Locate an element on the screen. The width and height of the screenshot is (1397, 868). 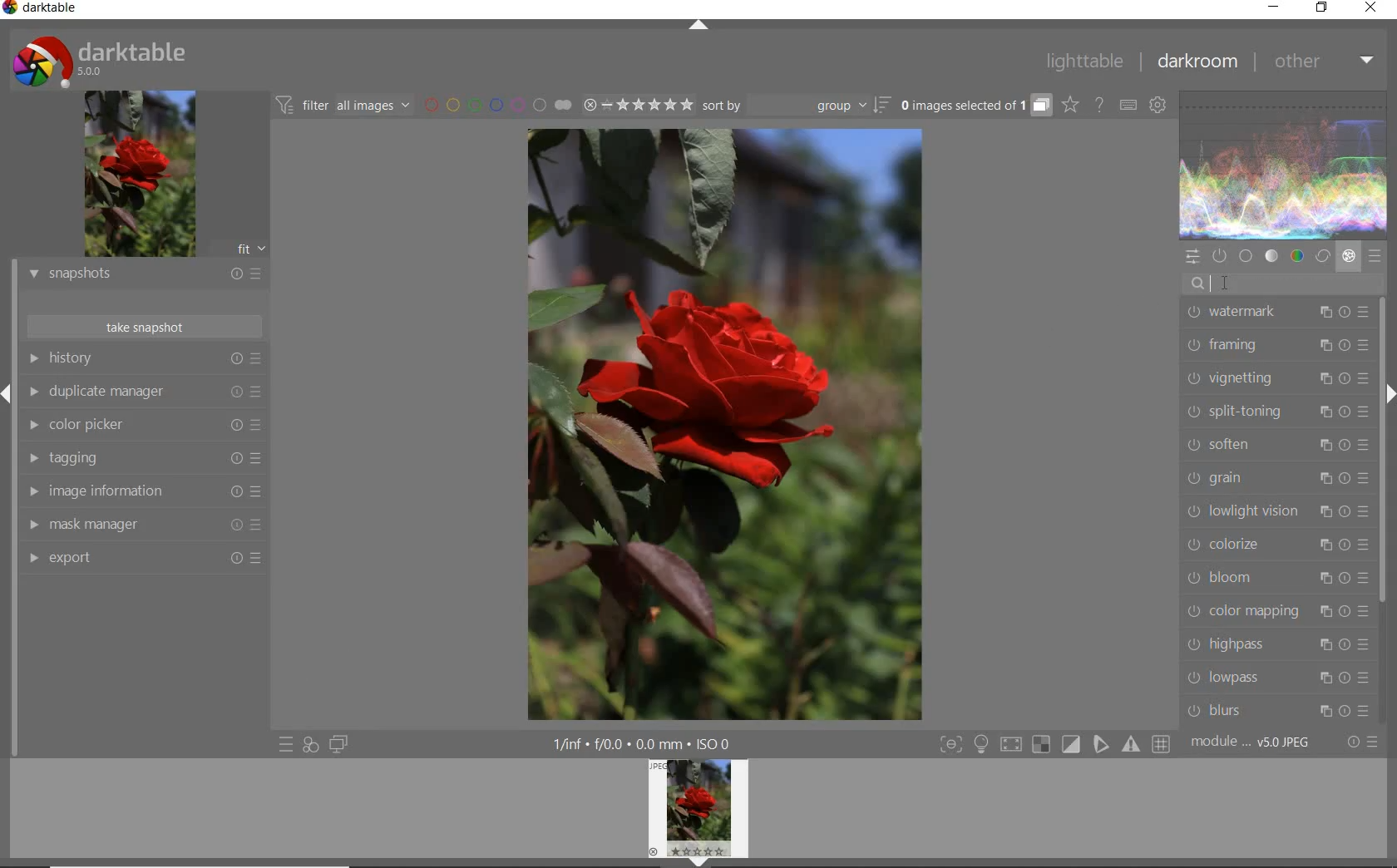
snapshots is located at coordinates (144, 275).